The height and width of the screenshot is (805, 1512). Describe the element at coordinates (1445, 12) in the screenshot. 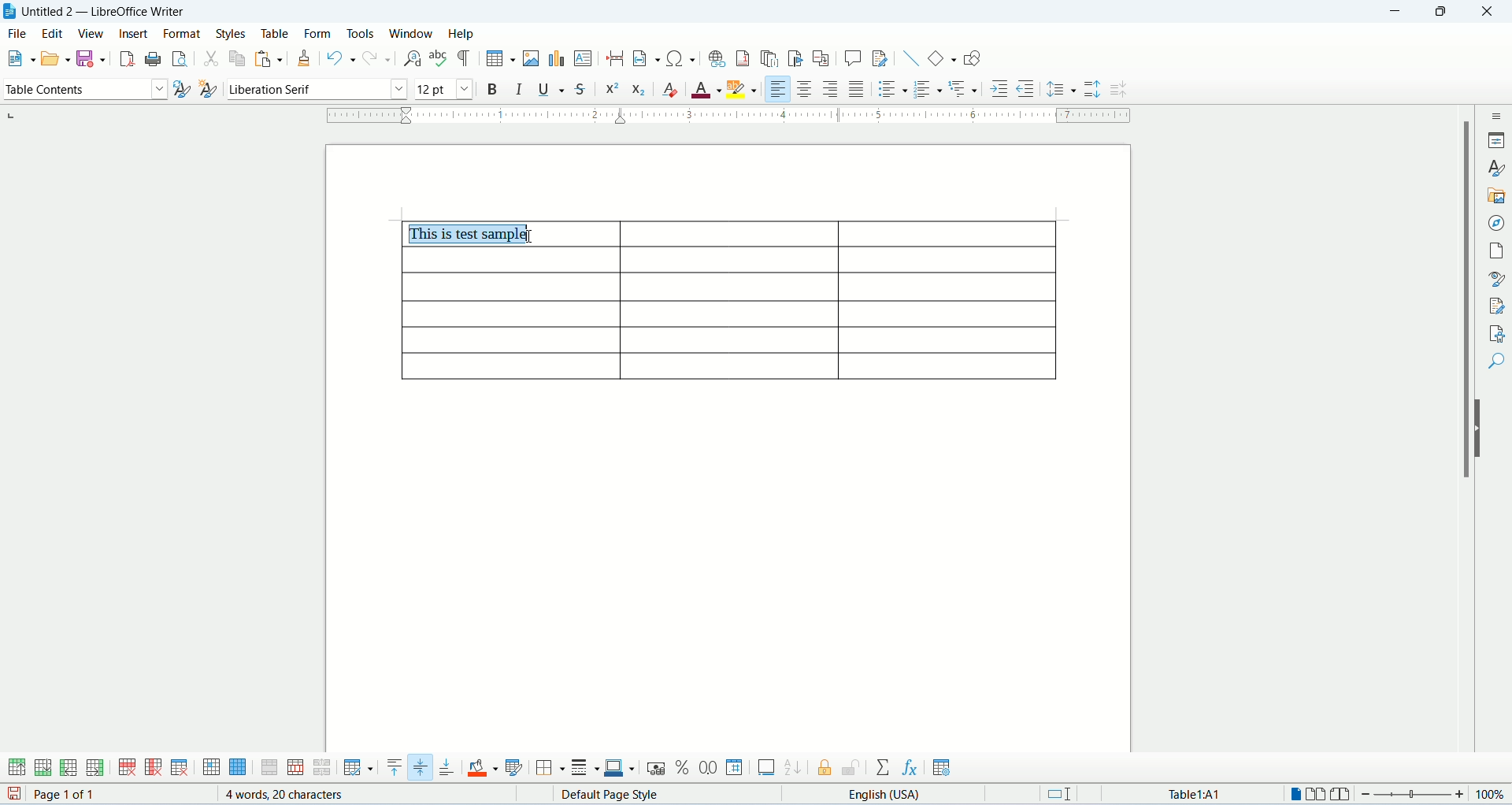

I see `maximize` at that location.